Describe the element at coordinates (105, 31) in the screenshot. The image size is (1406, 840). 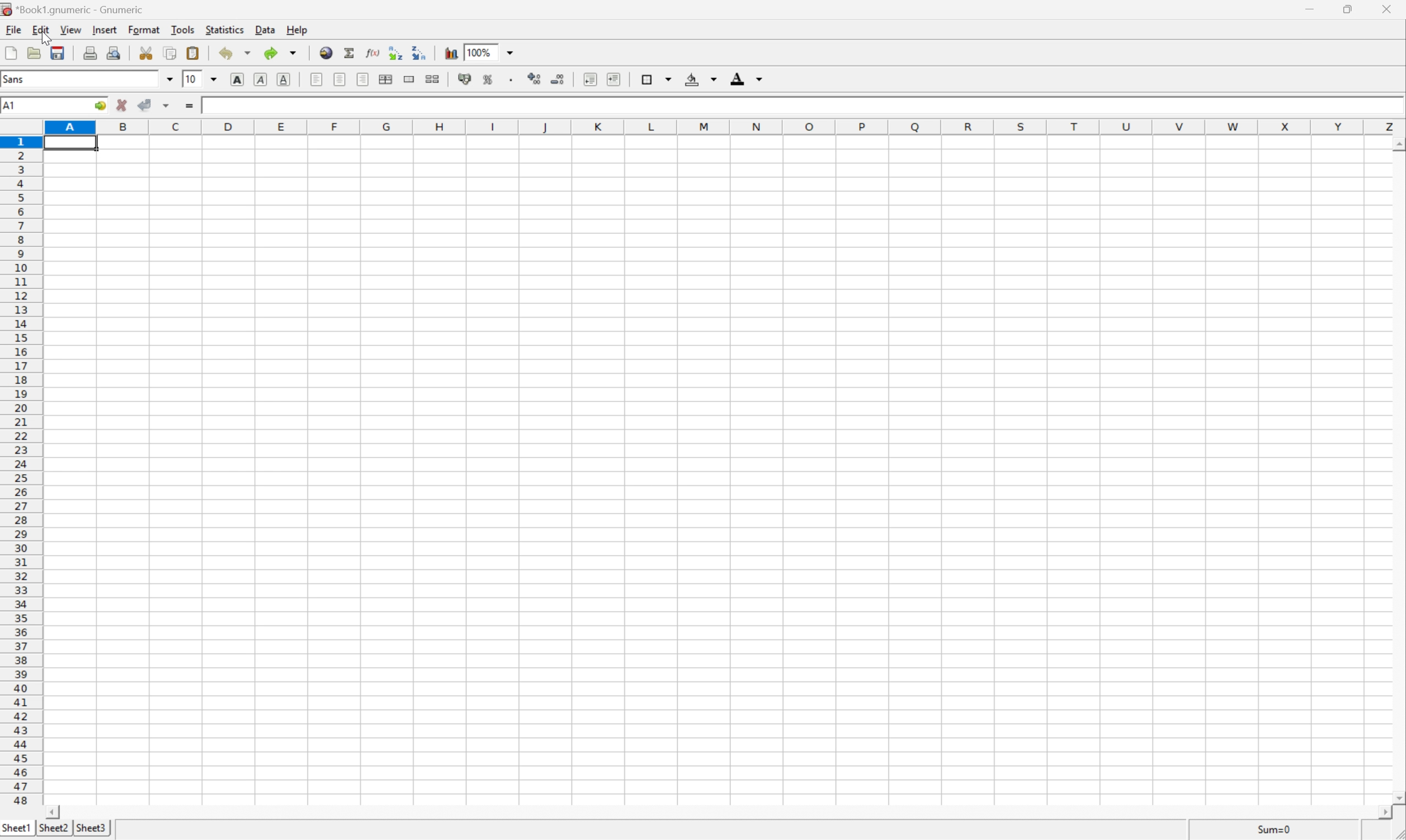
I see `insert` at that location.